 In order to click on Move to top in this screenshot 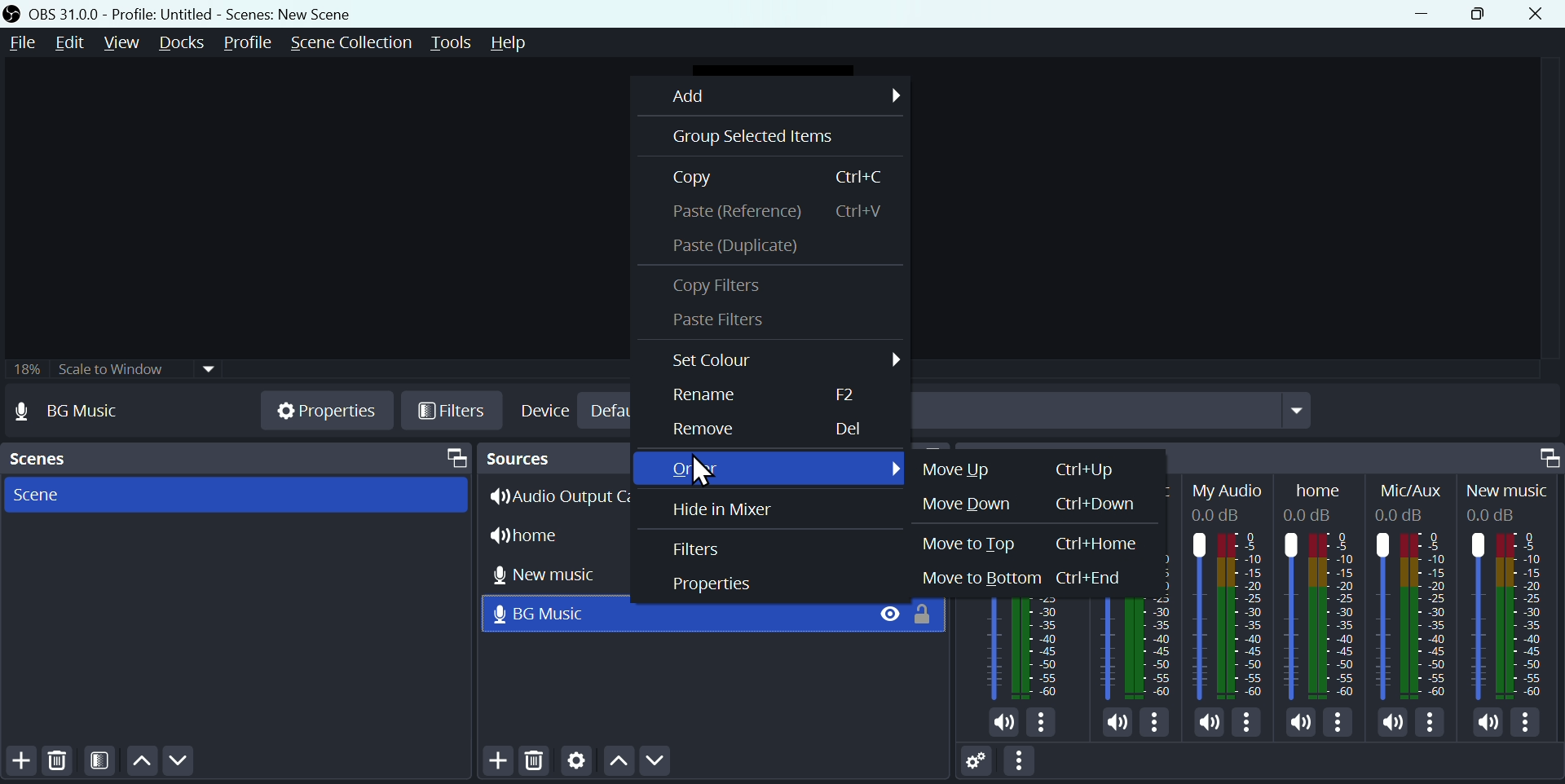, I will do `click(1039, 544)`.